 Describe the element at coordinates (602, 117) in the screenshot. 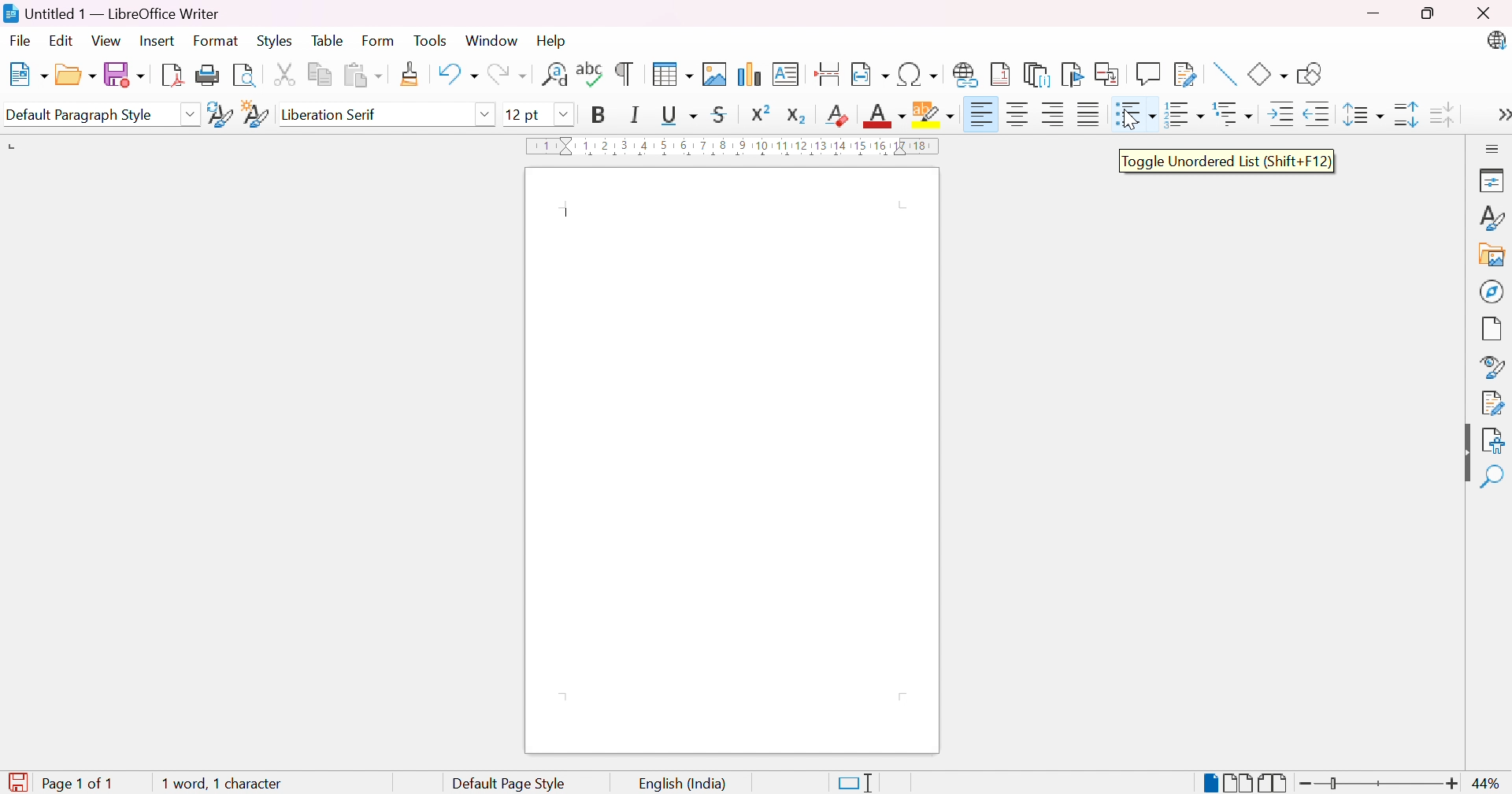

I see `Bold` at that location.